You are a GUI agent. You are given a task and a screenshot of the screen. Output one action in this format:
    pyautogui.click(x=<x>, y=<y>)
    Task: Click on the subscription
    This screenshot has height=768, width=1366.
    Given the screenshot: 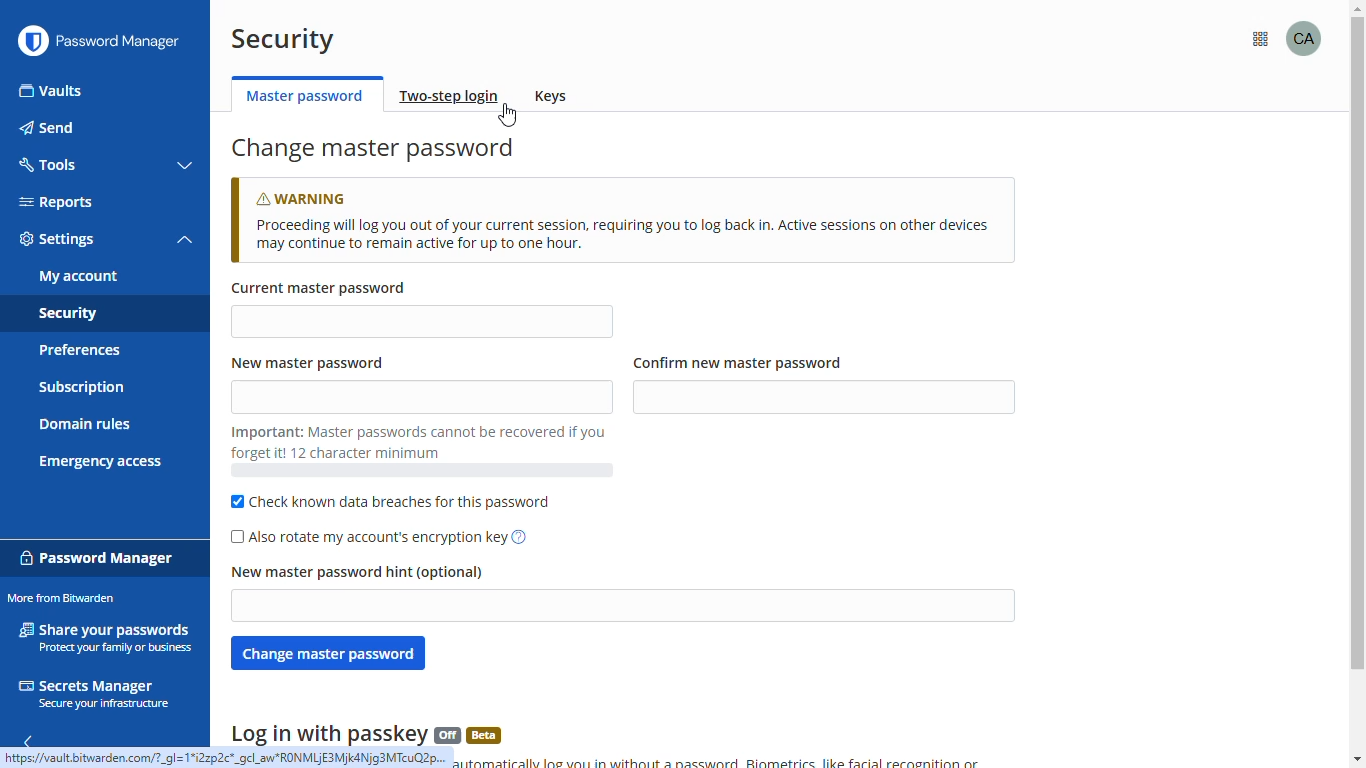 What is the action you would take?
    pyautogui.click(x=82, y=388)
    